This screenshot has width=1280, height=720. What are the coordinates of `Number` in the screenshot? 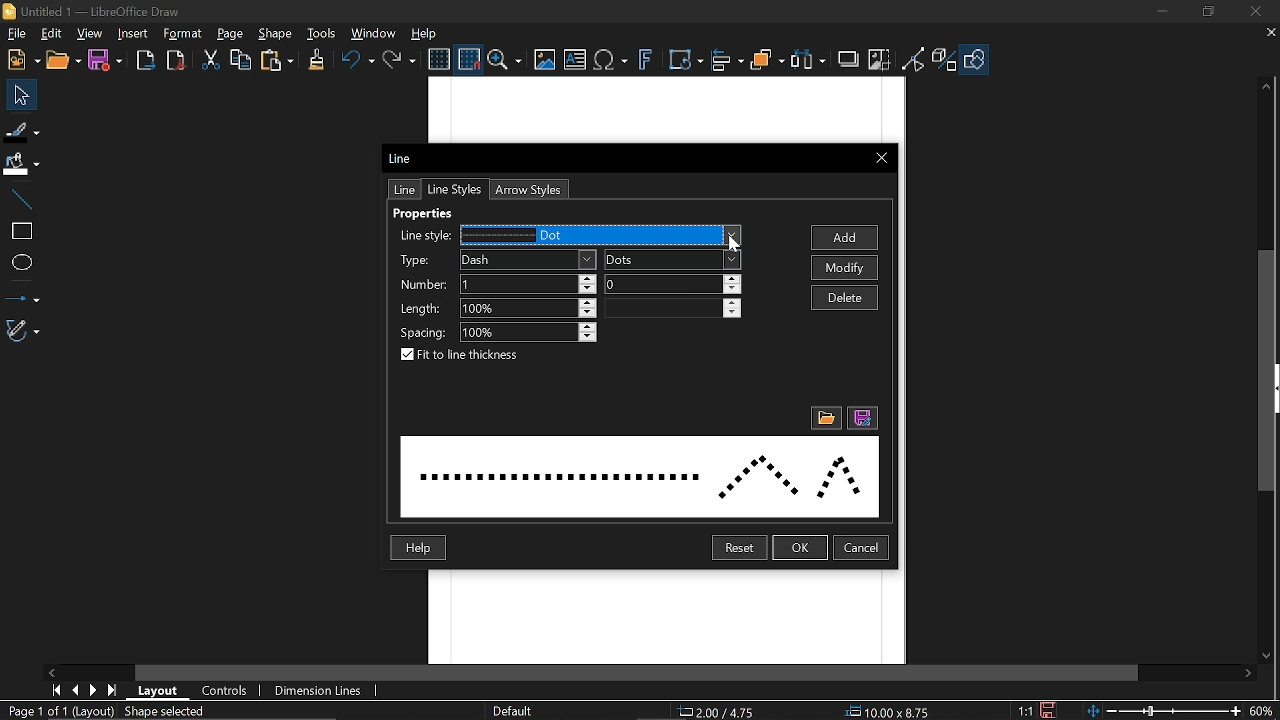 It's located at (673, 284).